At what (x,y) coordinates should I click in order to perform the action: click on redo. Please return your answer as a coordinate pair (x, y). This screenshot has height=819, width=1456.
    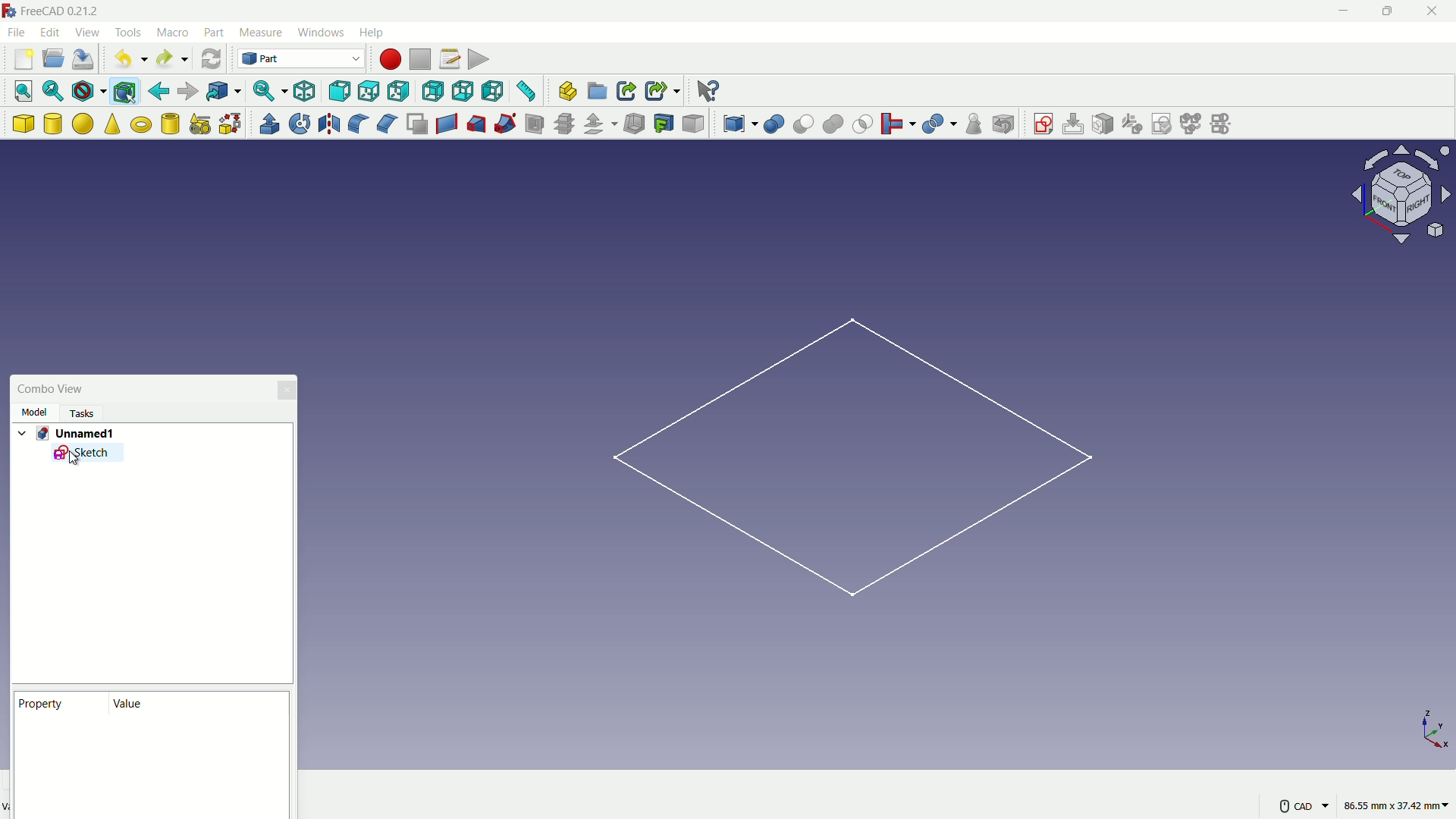
    Looking at the image, I should click on (171, 58).